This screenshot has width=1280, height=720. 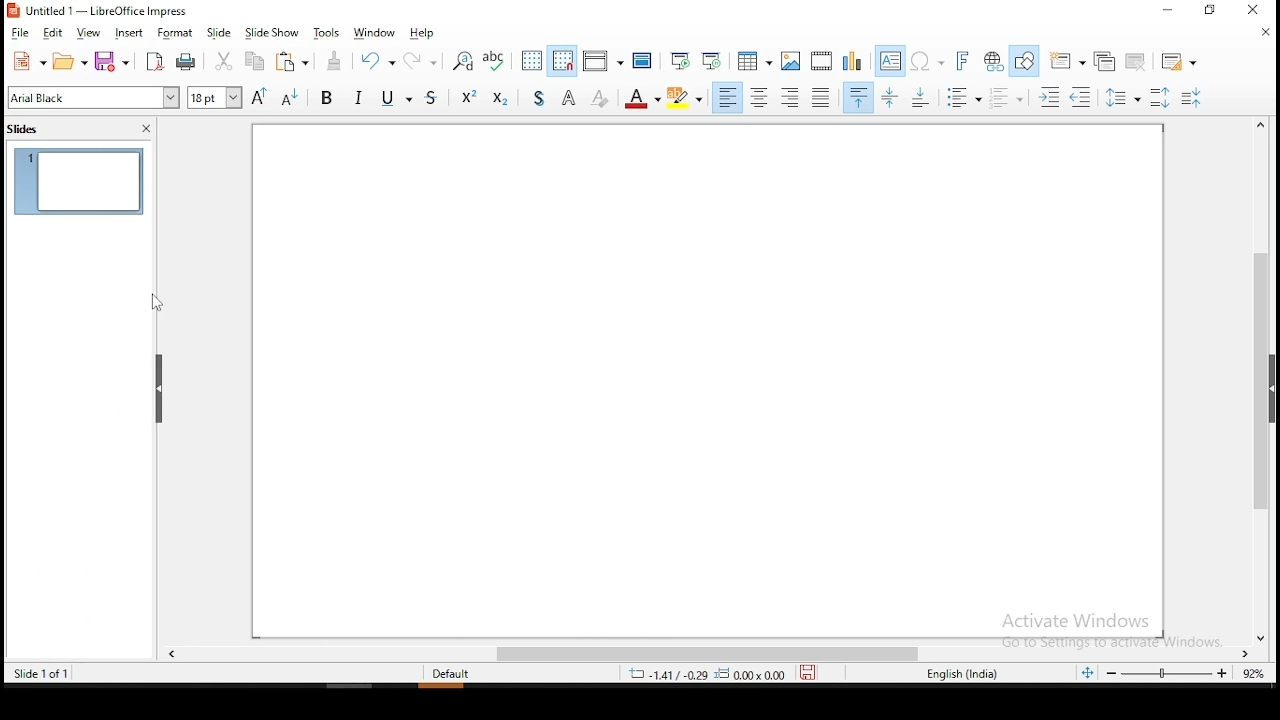 What do you see at coordinates (113, 60) in the screenshot?
I see `save` at bounding box center [113, 60].